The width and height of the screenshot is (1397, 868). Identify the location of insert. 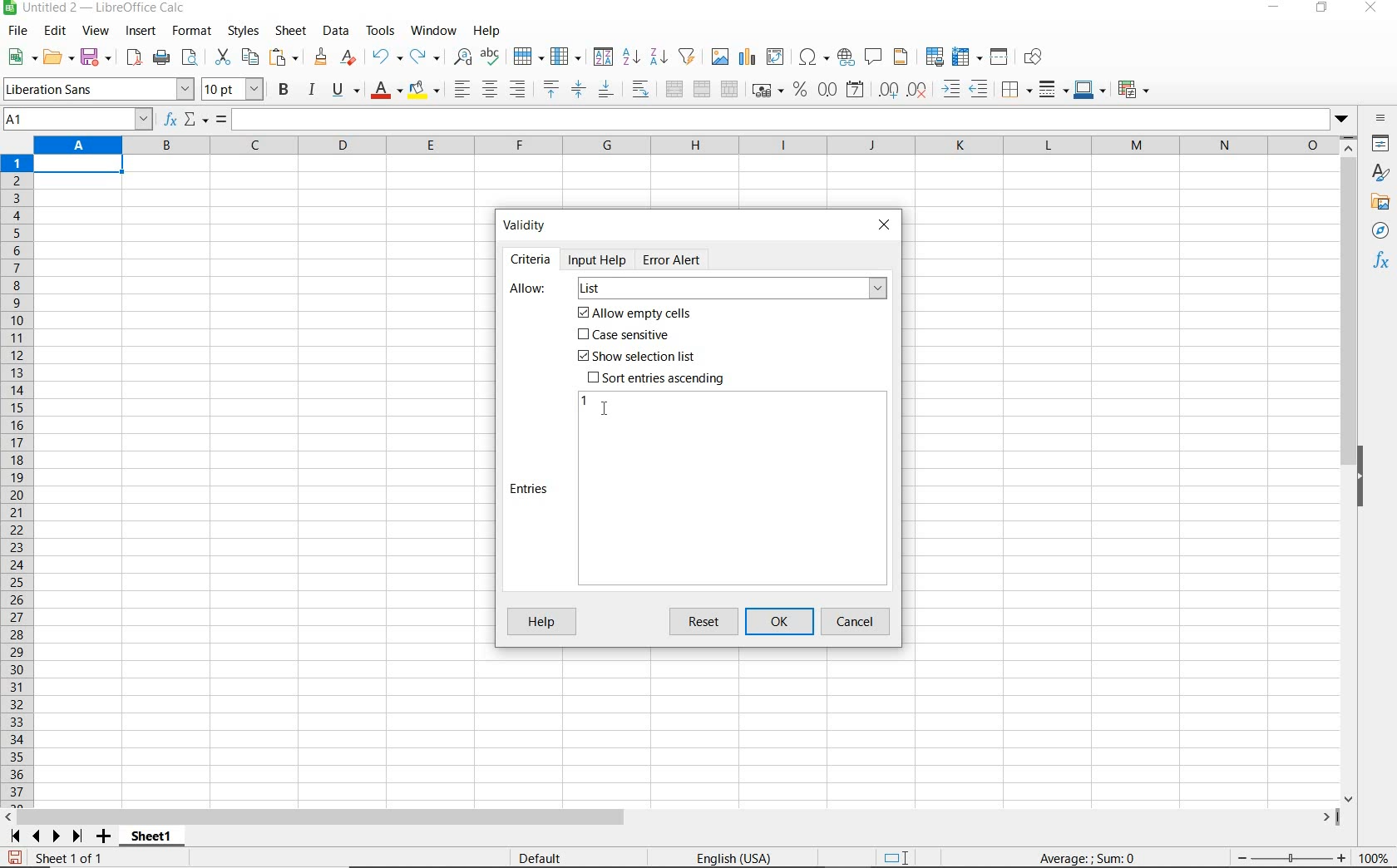
(140, 32).